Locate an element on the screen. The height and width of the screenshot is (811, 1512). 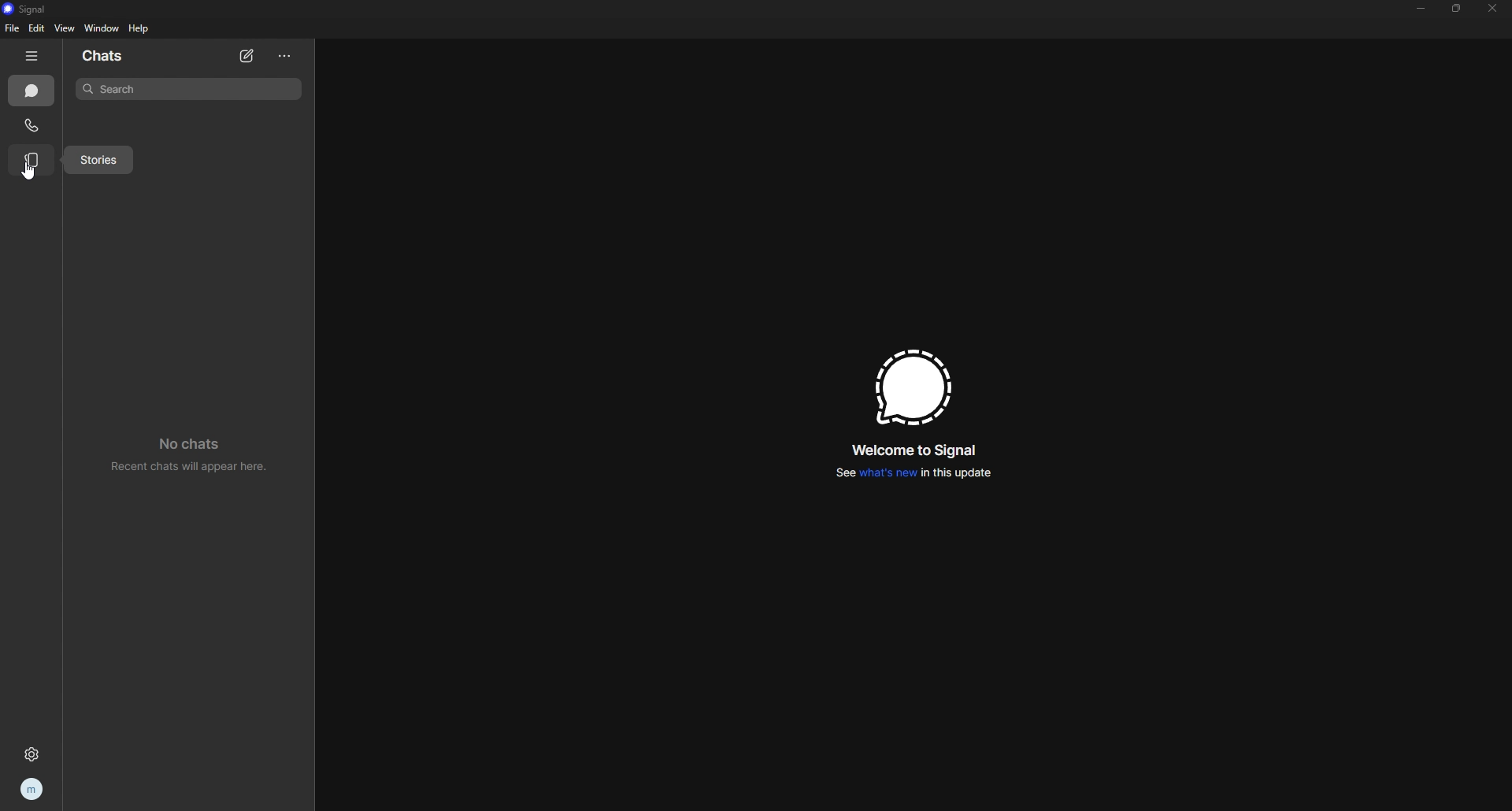
window is located at coordinates (101, 29).